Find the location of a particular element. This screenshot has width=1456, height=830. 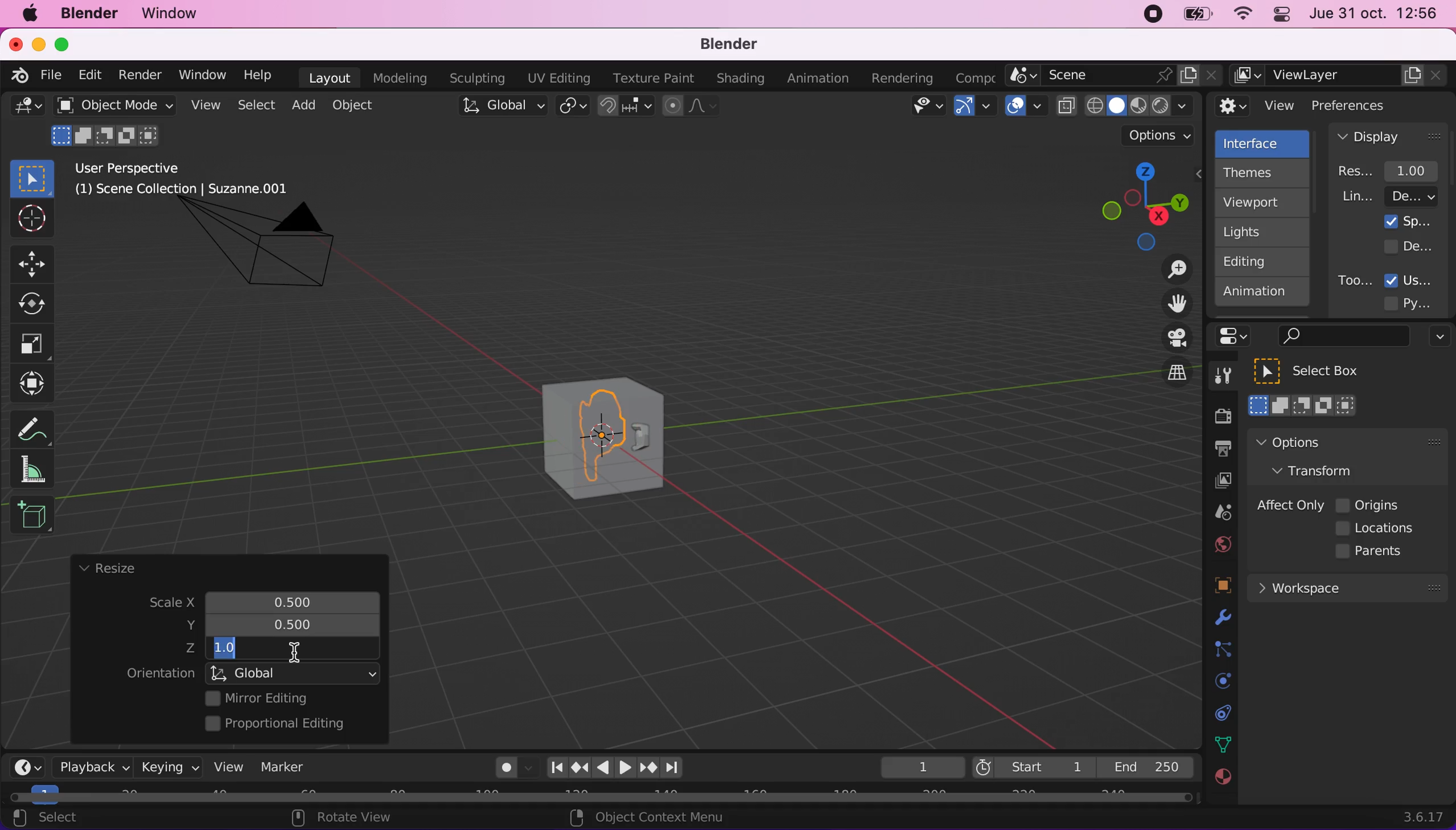

scale is located at coordinates (161, 604).